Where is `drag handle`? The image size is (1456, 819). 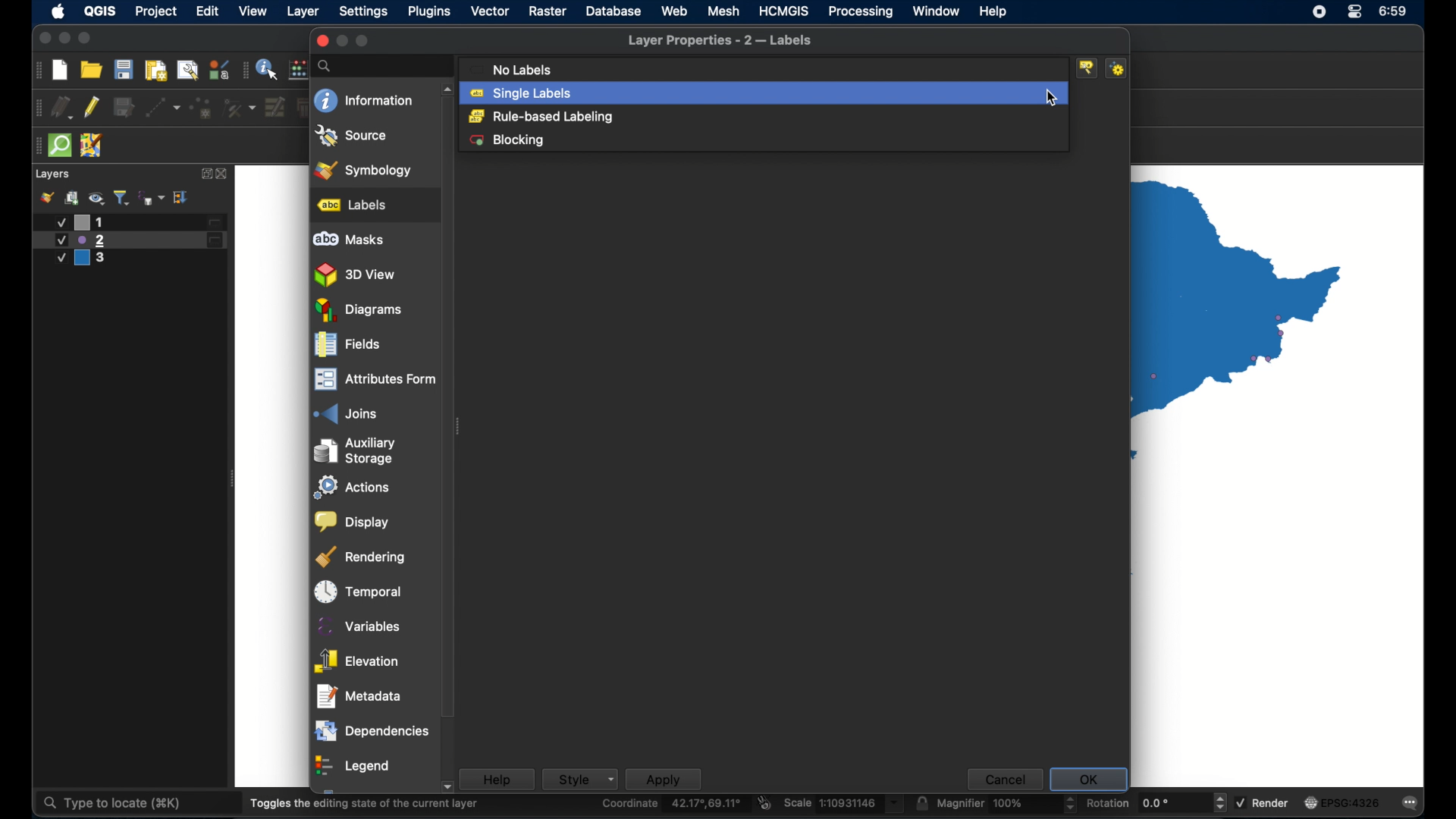
drag handle is located at coordinates (245, 69).